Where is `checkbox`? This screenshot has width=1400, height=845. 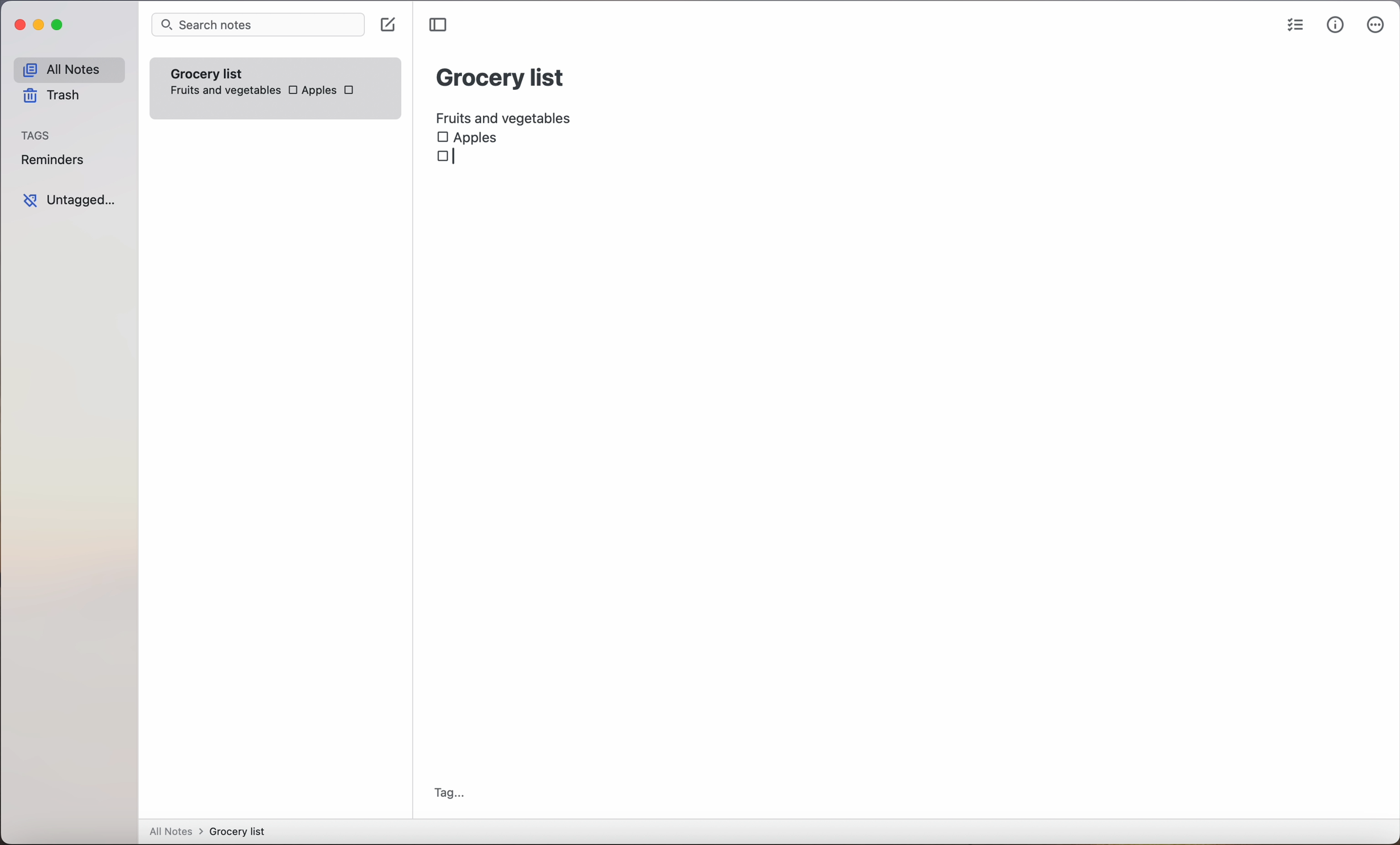
checkbox is located at coordinates (444, 158).